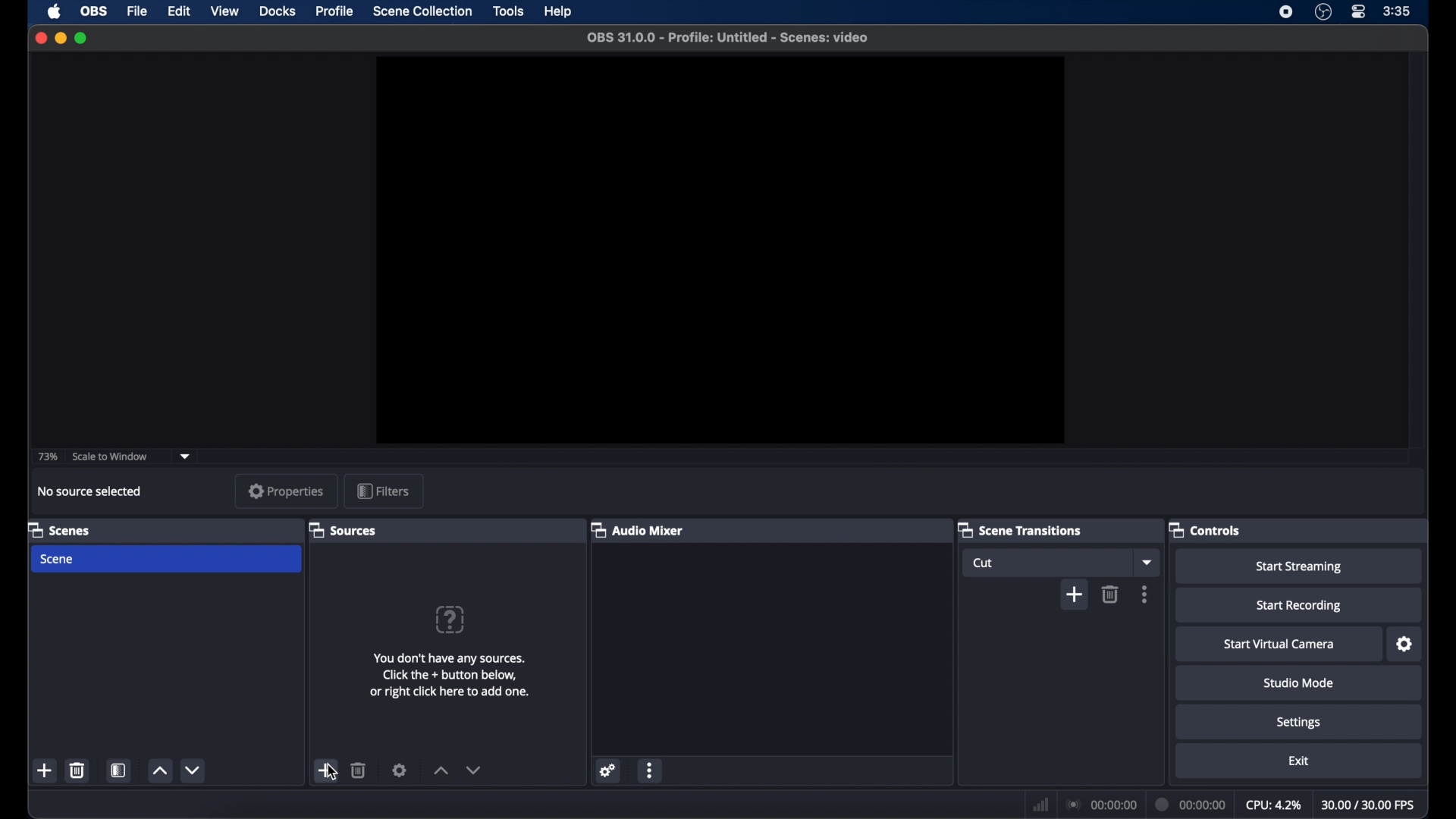 The width and height of the screenshot is (1456, 819). What do you see at coordinates (287, 491) in the screenshot?
I see `properties` at bounding box center [287, 491].